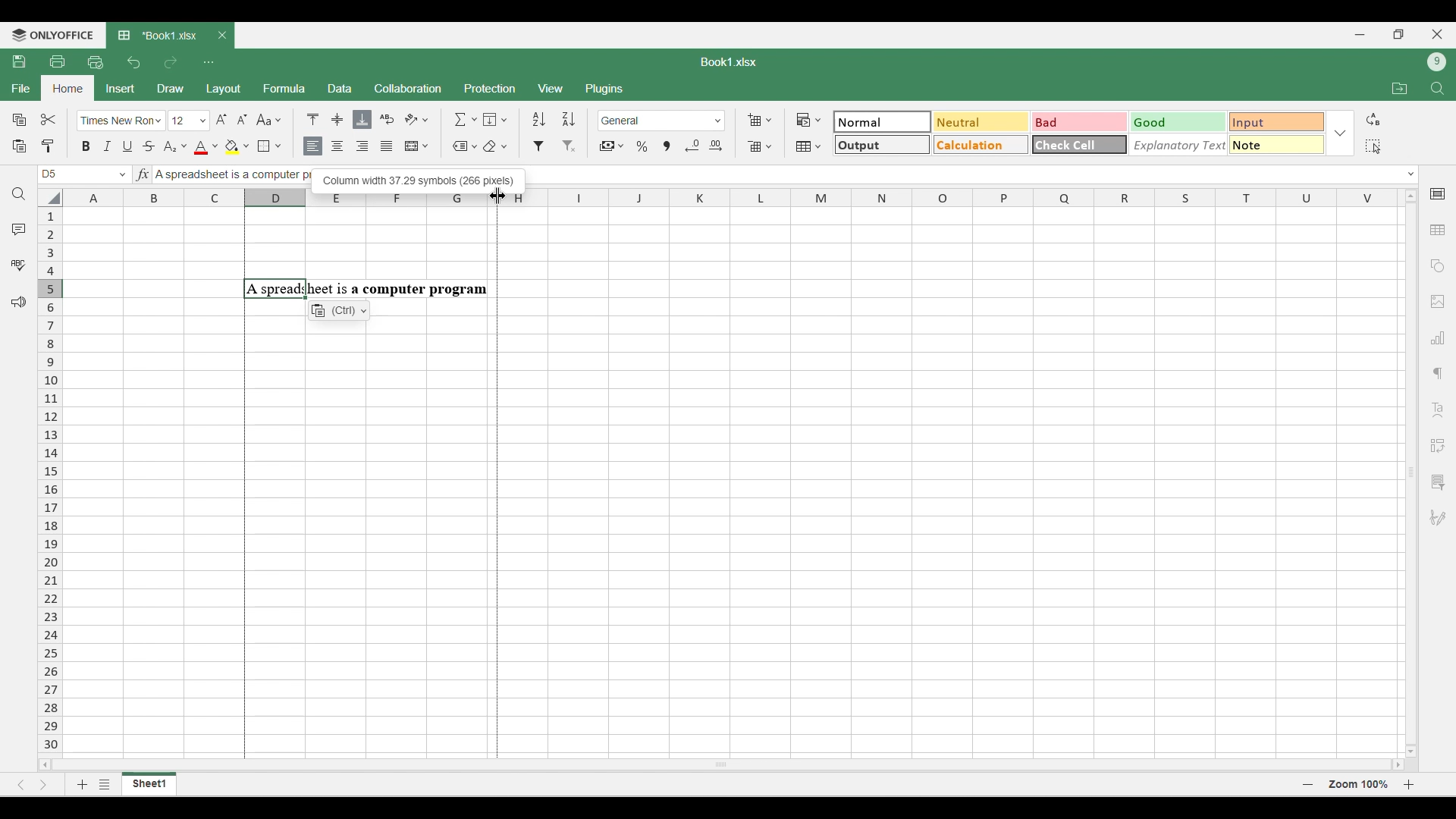 The height and width of the screenshot is (819, 1456). I want to click on Horizontal marker, so click(733, 199).